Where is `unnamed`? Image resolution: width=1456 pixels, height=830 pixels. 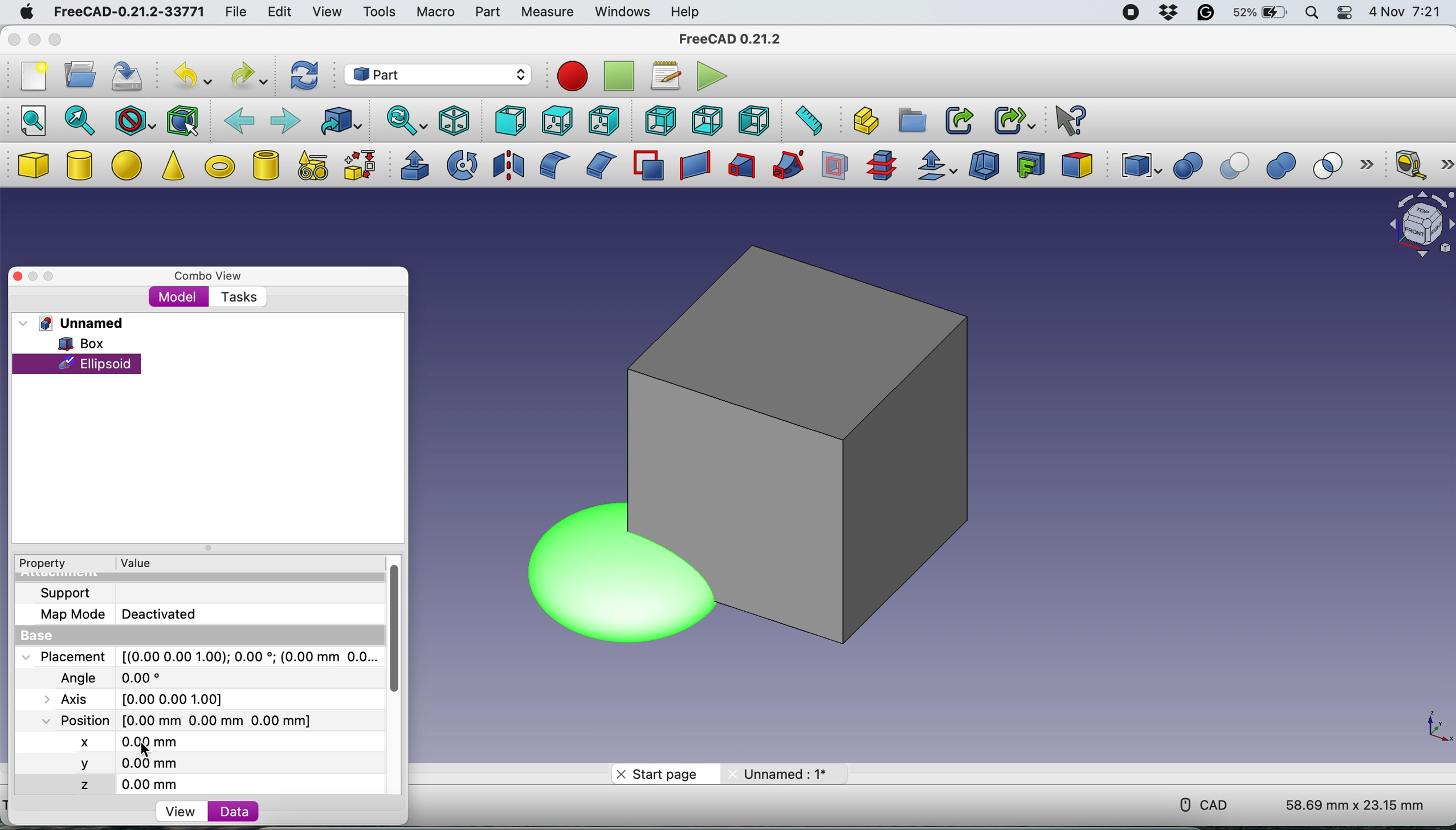
unnamed is located at coordinates (71, 323).